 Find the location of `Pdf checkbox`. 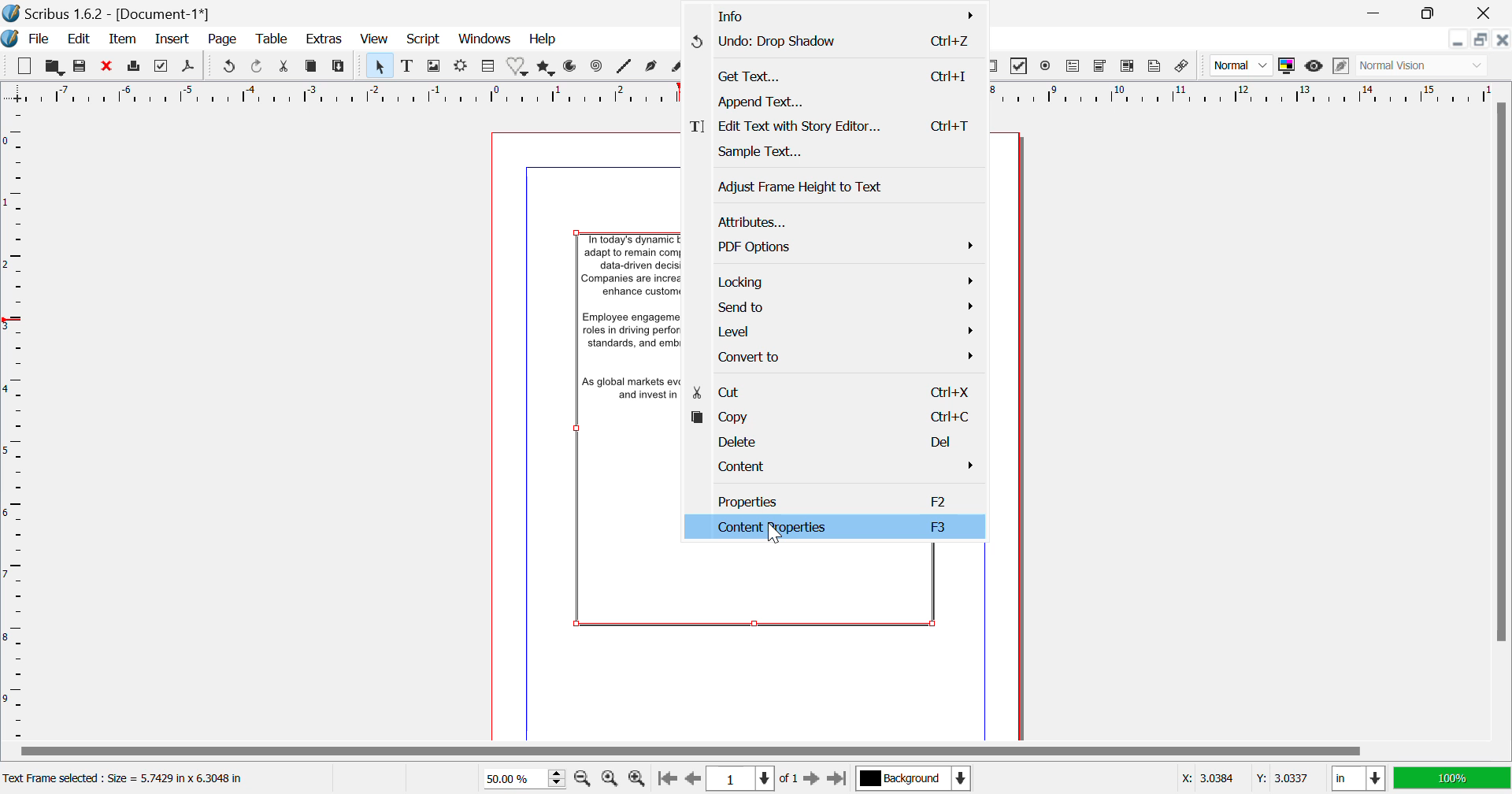

Pdf checkbox is located at coordinates (1020, 66).